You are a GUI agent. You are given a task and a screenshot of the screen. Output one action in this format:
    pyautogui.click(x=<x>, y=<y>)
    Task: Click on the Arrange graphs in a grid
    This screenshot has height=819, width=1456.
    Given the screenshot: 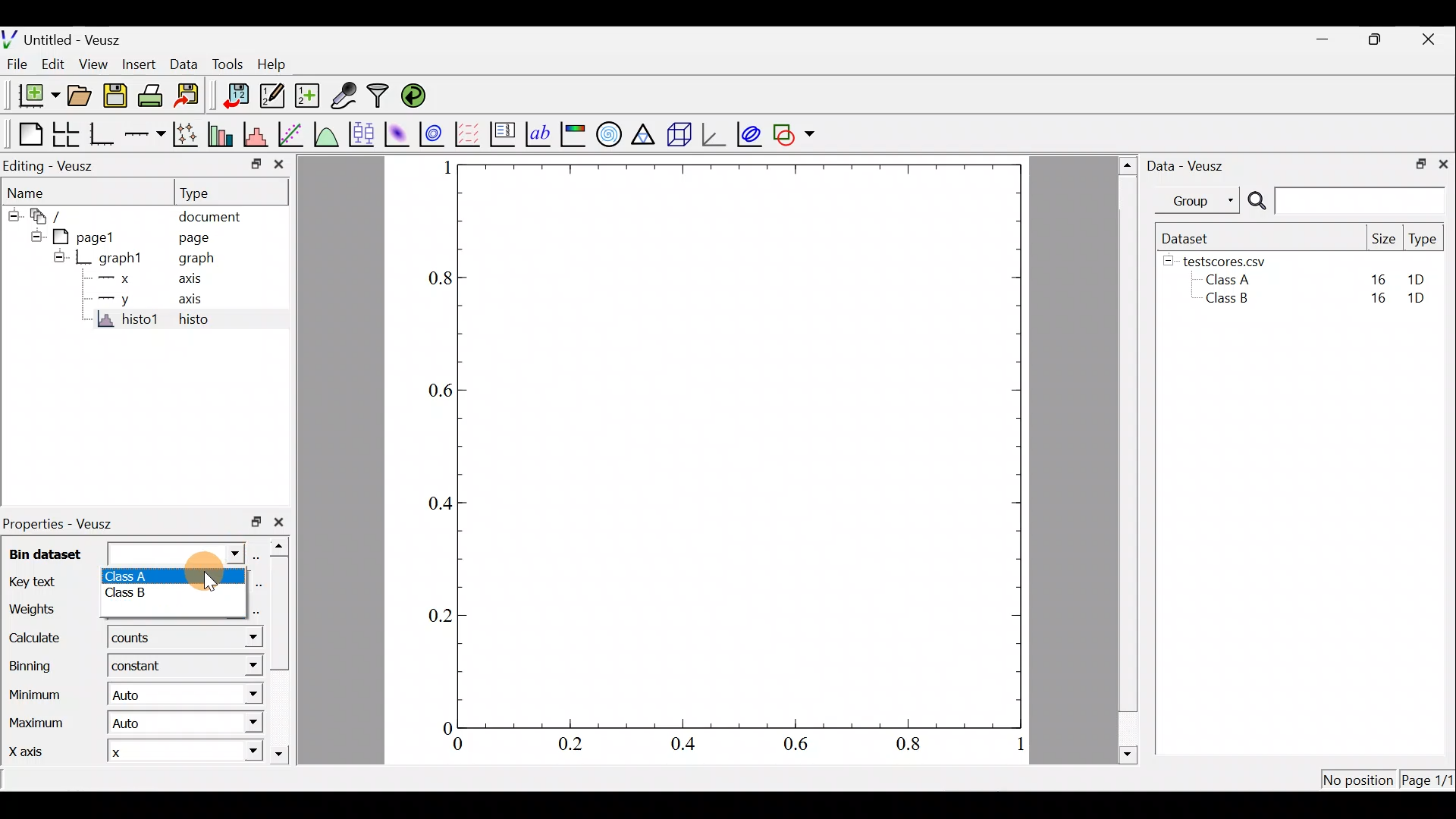 What is the action you would take?
    pyautogui.click(x=67, y=134)
    